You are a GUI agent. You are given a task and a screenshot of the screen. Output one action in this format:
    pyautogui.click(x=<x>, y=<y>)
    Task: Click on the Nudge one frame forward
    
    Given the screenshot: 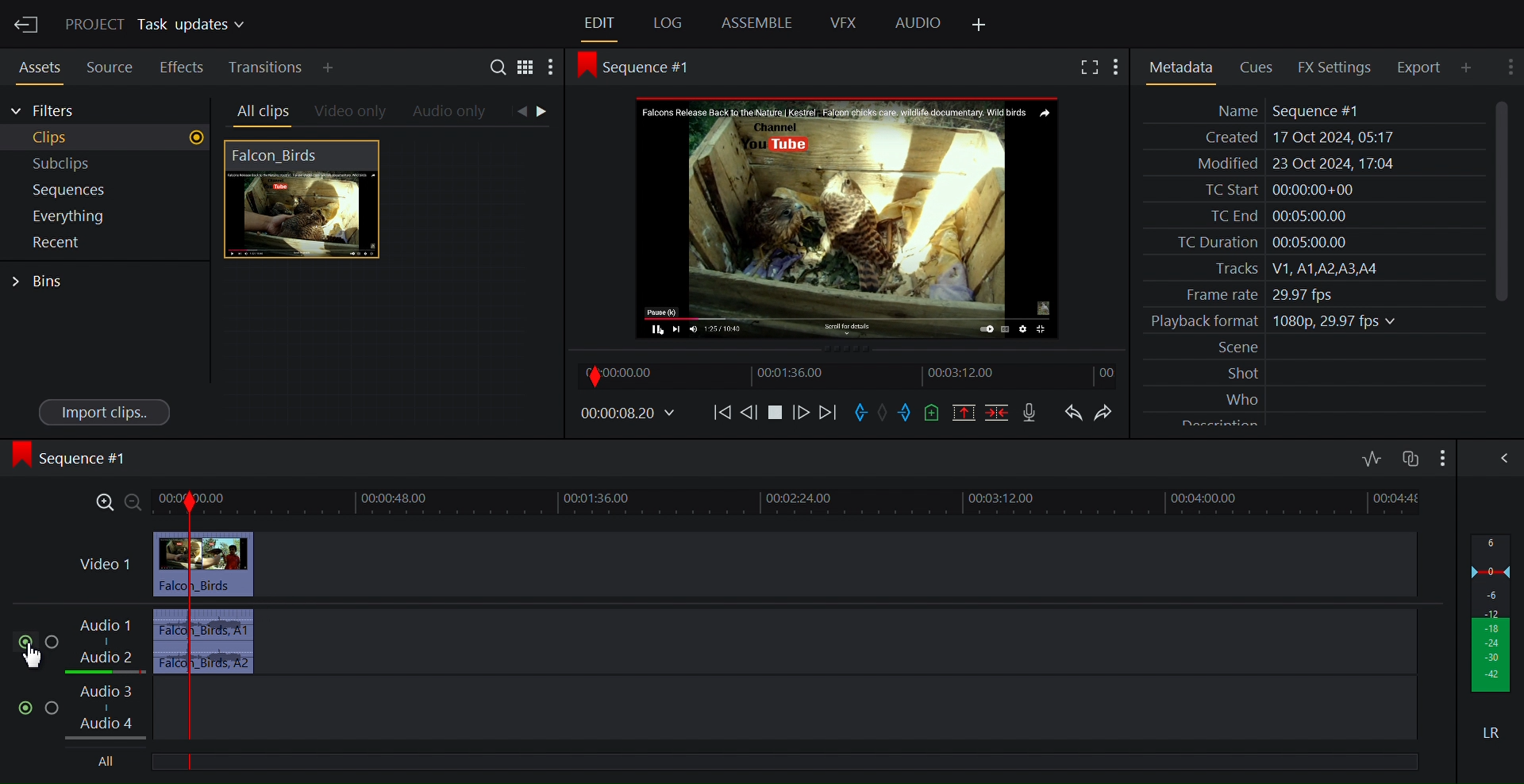 What is the action you would take?
    pyautogui.click(x=750, y=416)
    